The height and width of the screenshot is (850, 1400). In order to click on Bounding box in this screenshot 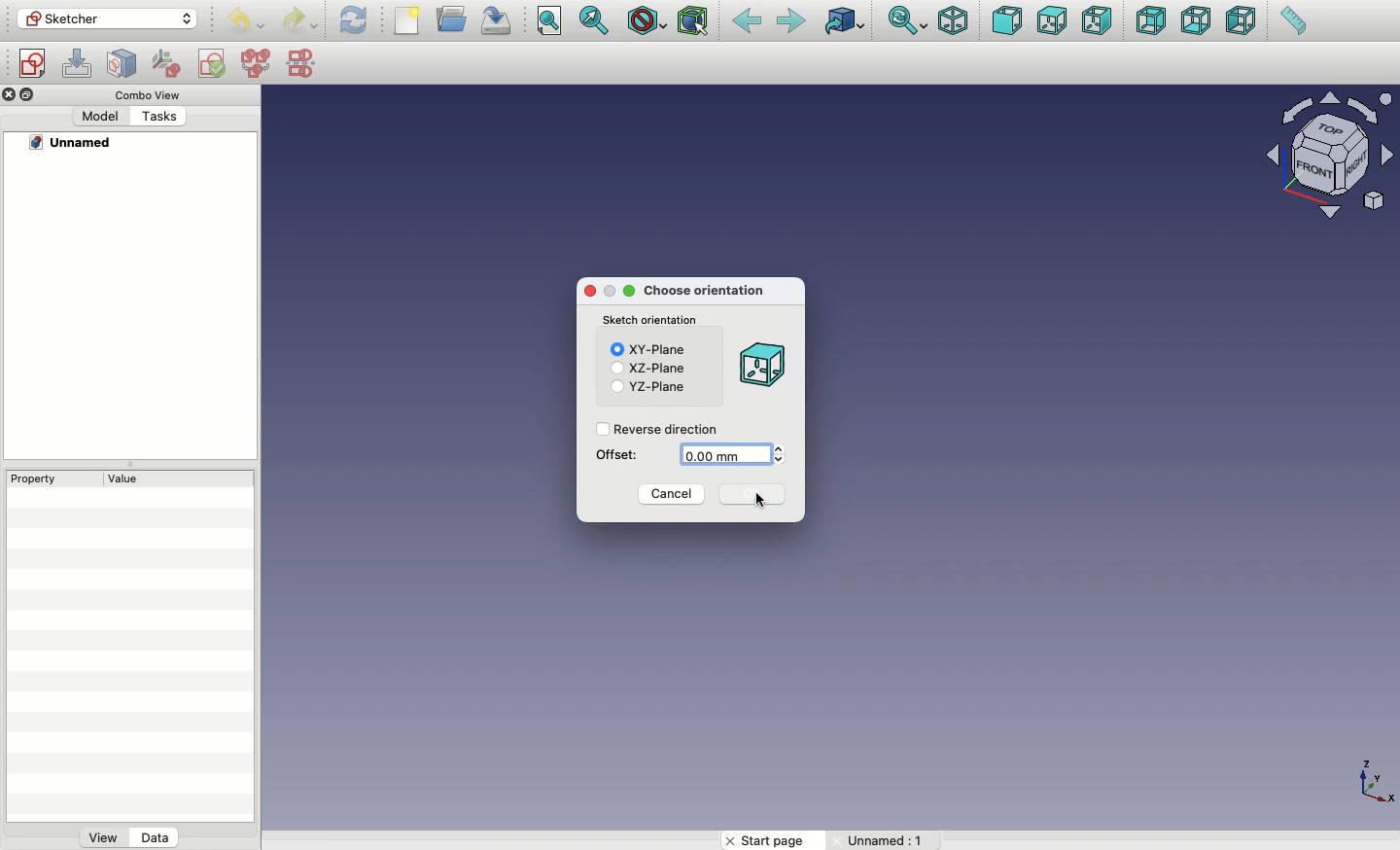, I will do `click(695, 22)`.